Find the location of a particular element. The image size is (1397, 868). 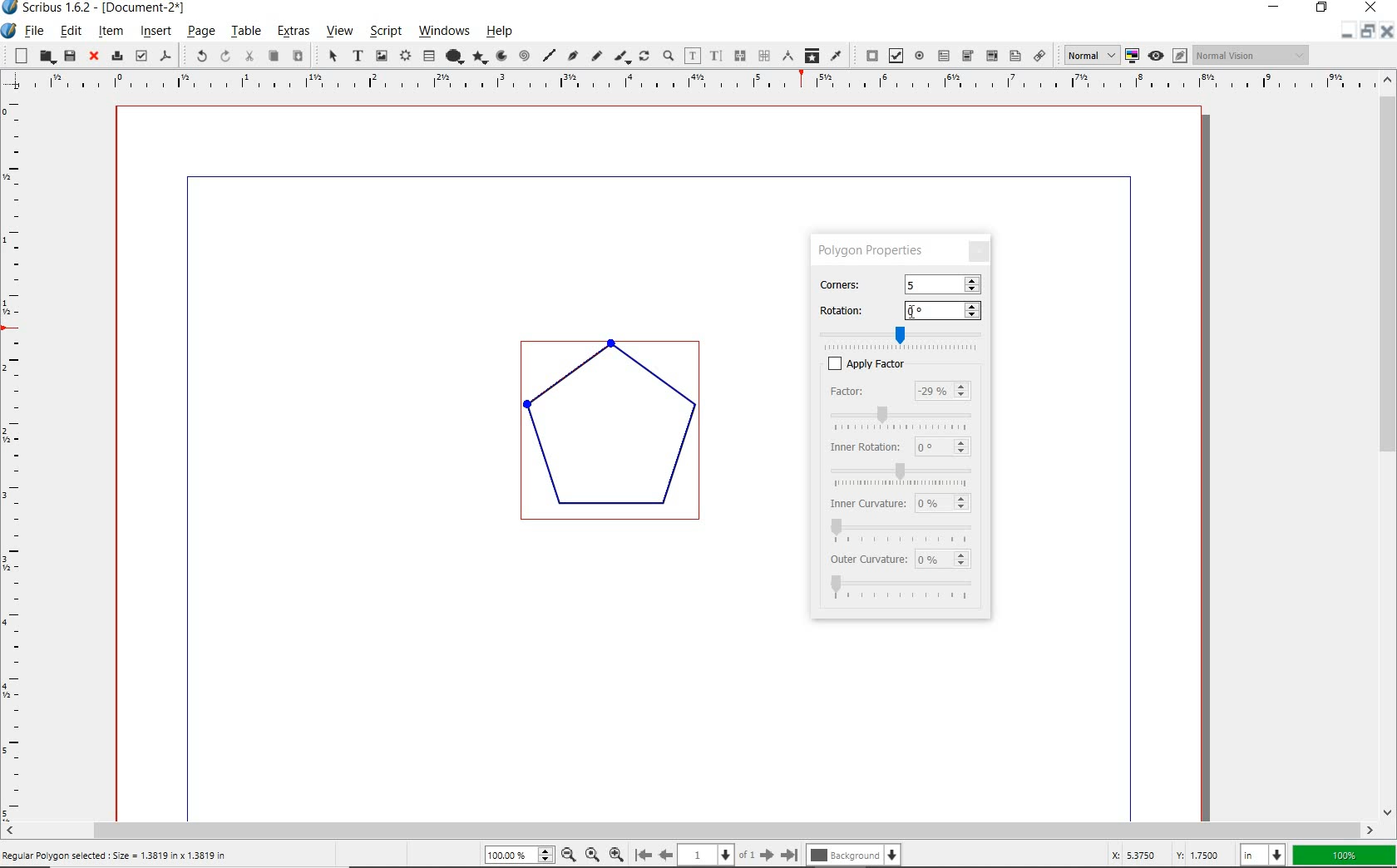

move to previous is located at coordinates (672, 854).